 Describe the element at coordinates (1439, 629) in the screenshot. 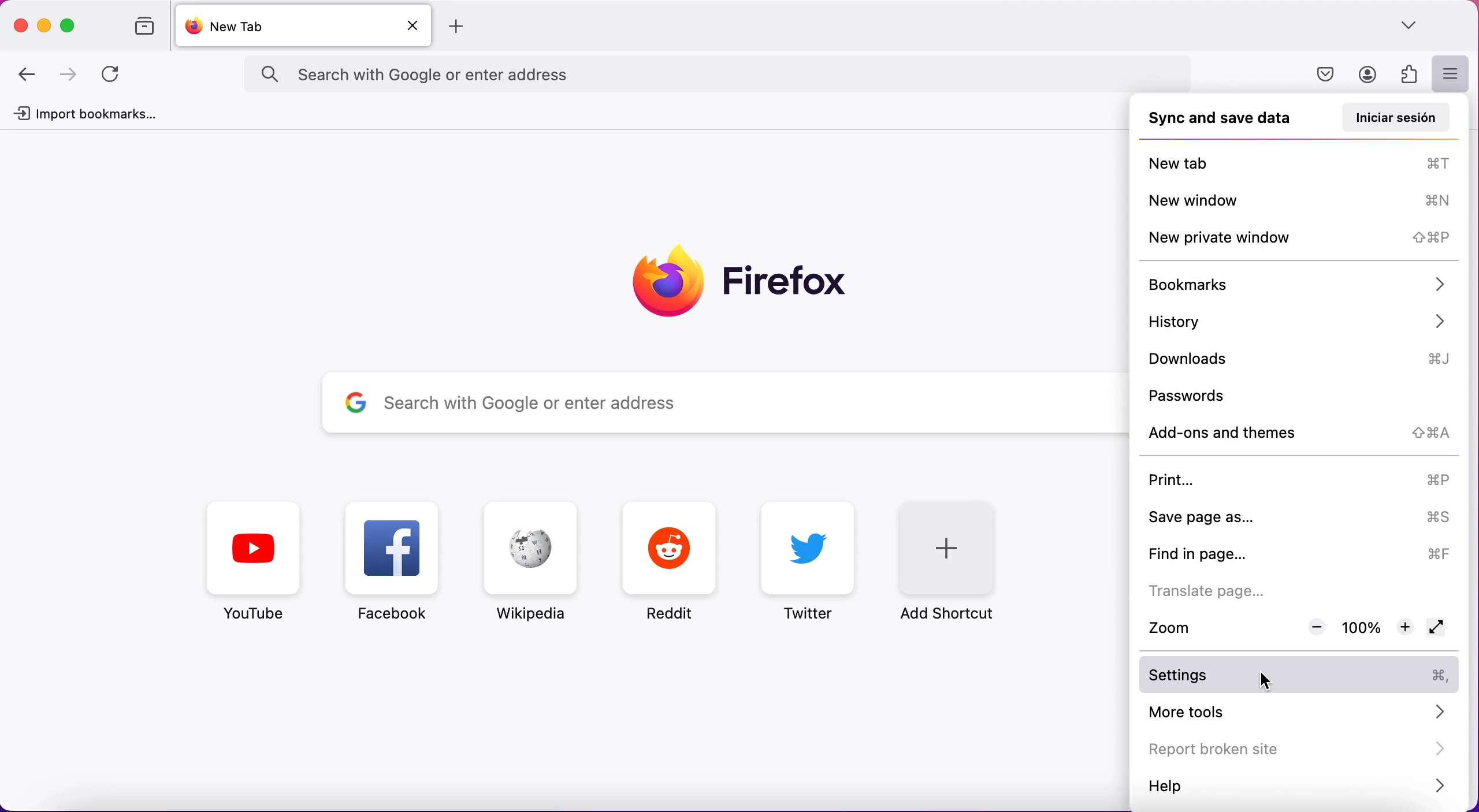

I see `display the window in full screen` at that location.